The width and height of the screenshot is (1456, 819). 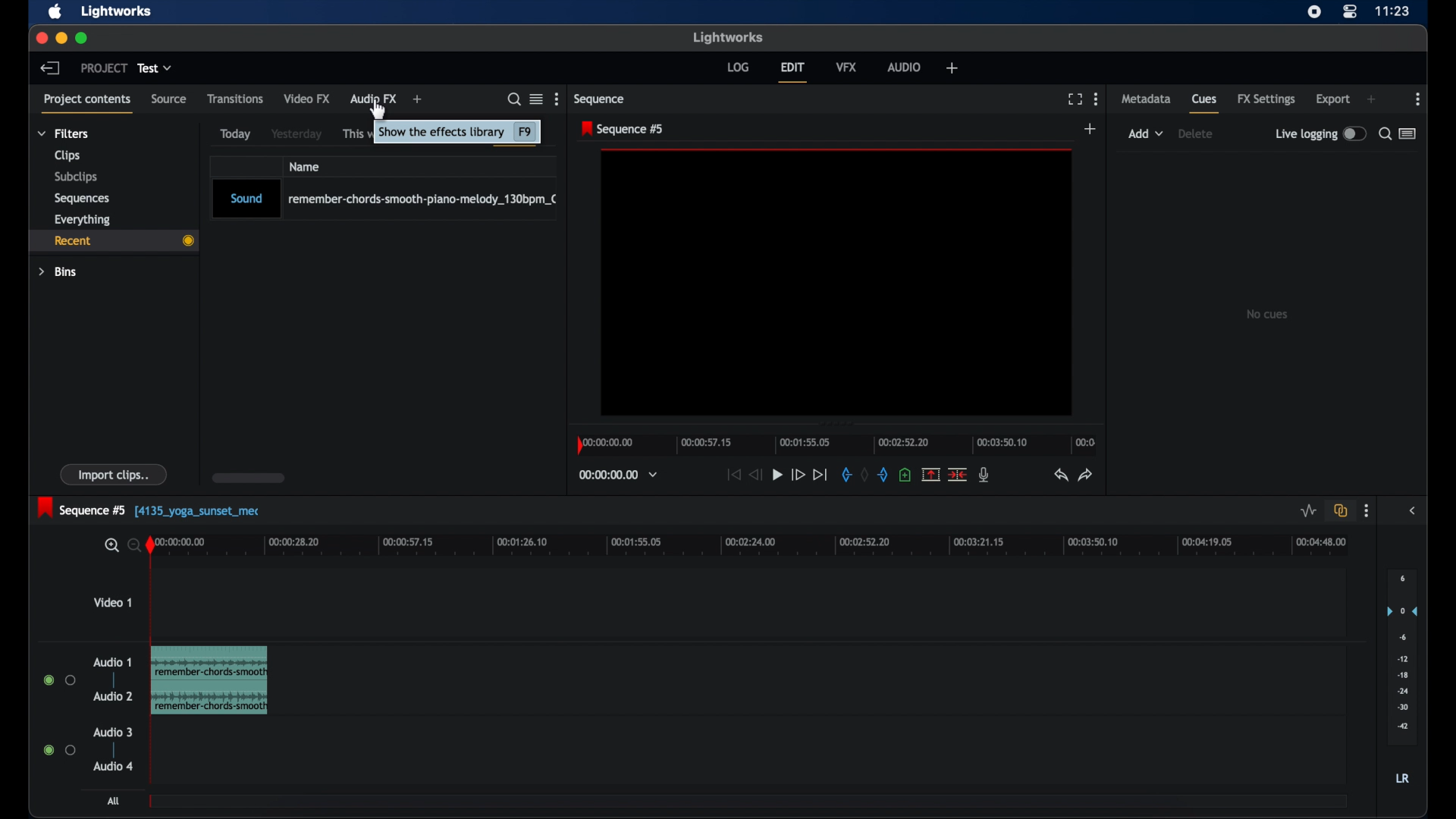 What do you see at coordinates (1341, 510) in the screenshot?
I see `toggle auto track sync` at bounding box center [1341, 510].